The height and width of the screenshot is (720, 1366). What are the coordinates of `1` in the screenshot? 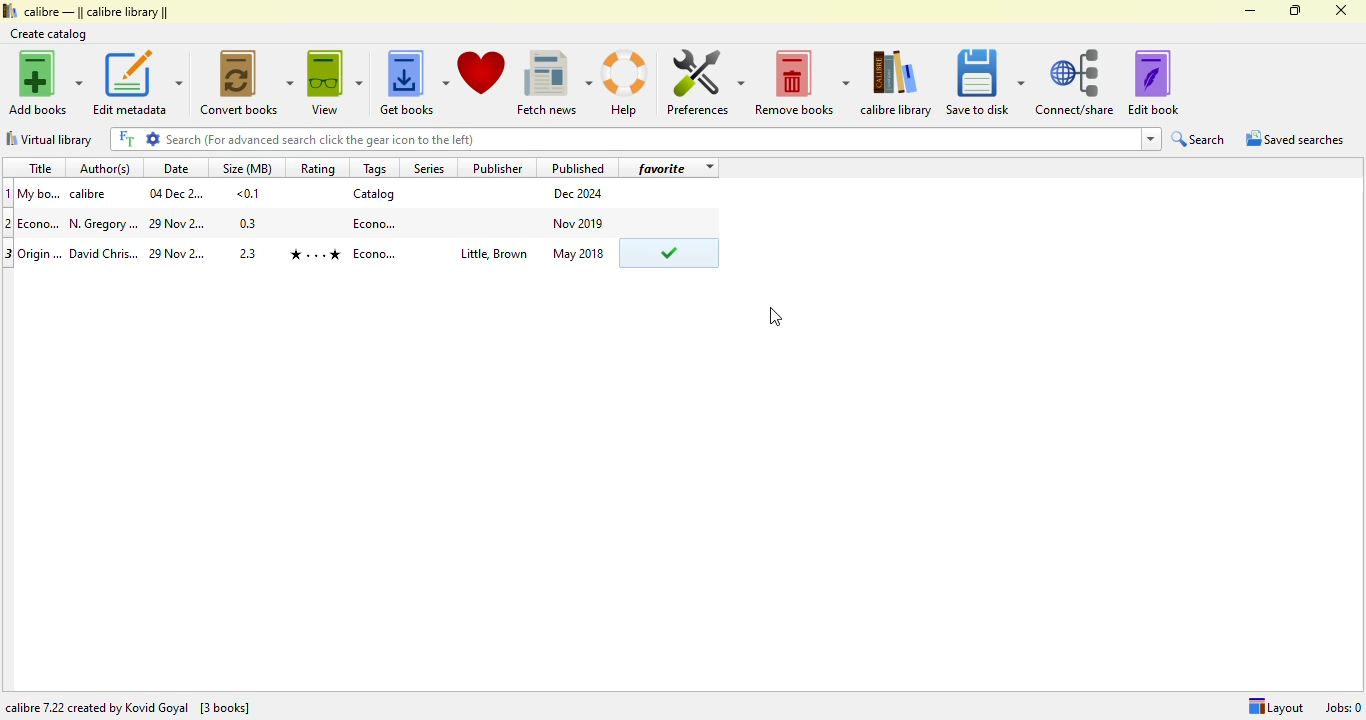 It's located at (9, 193).